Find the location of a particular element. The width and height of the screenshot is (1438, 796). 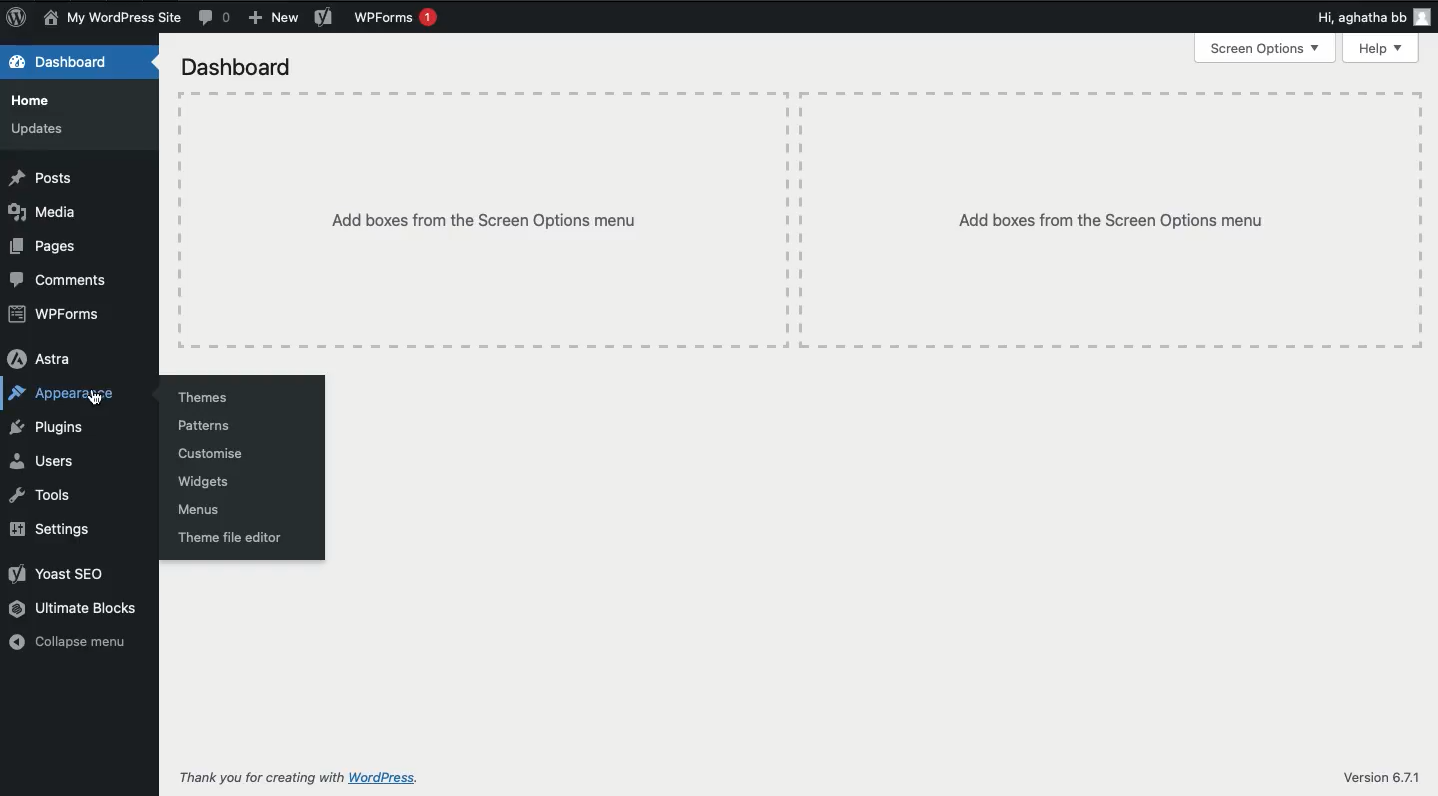

Posts is located at coordinates (41, 178).